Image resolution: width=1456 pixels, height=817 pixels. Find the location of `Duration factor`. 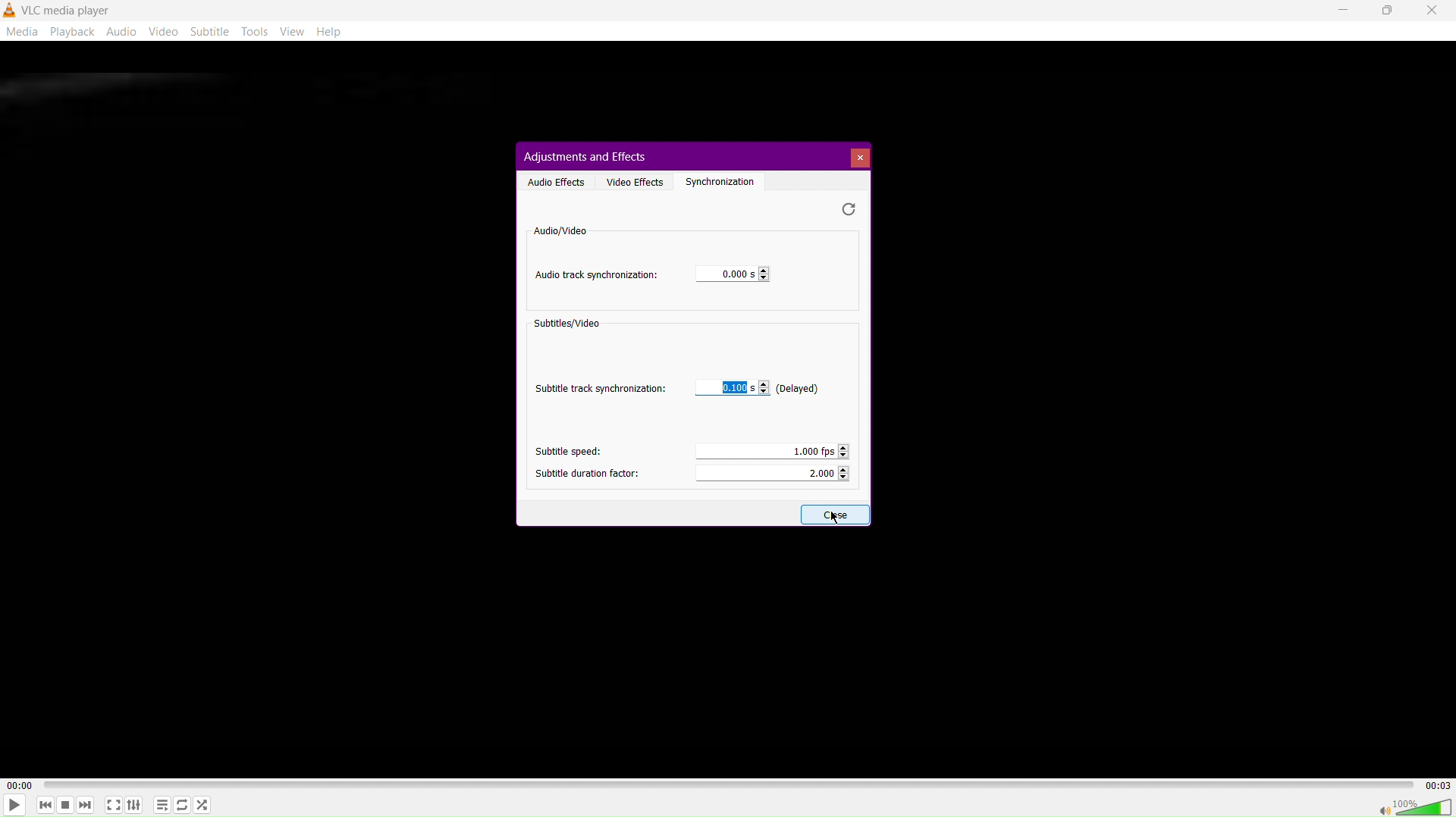

Duration factor is located at coordinates (774, 475).